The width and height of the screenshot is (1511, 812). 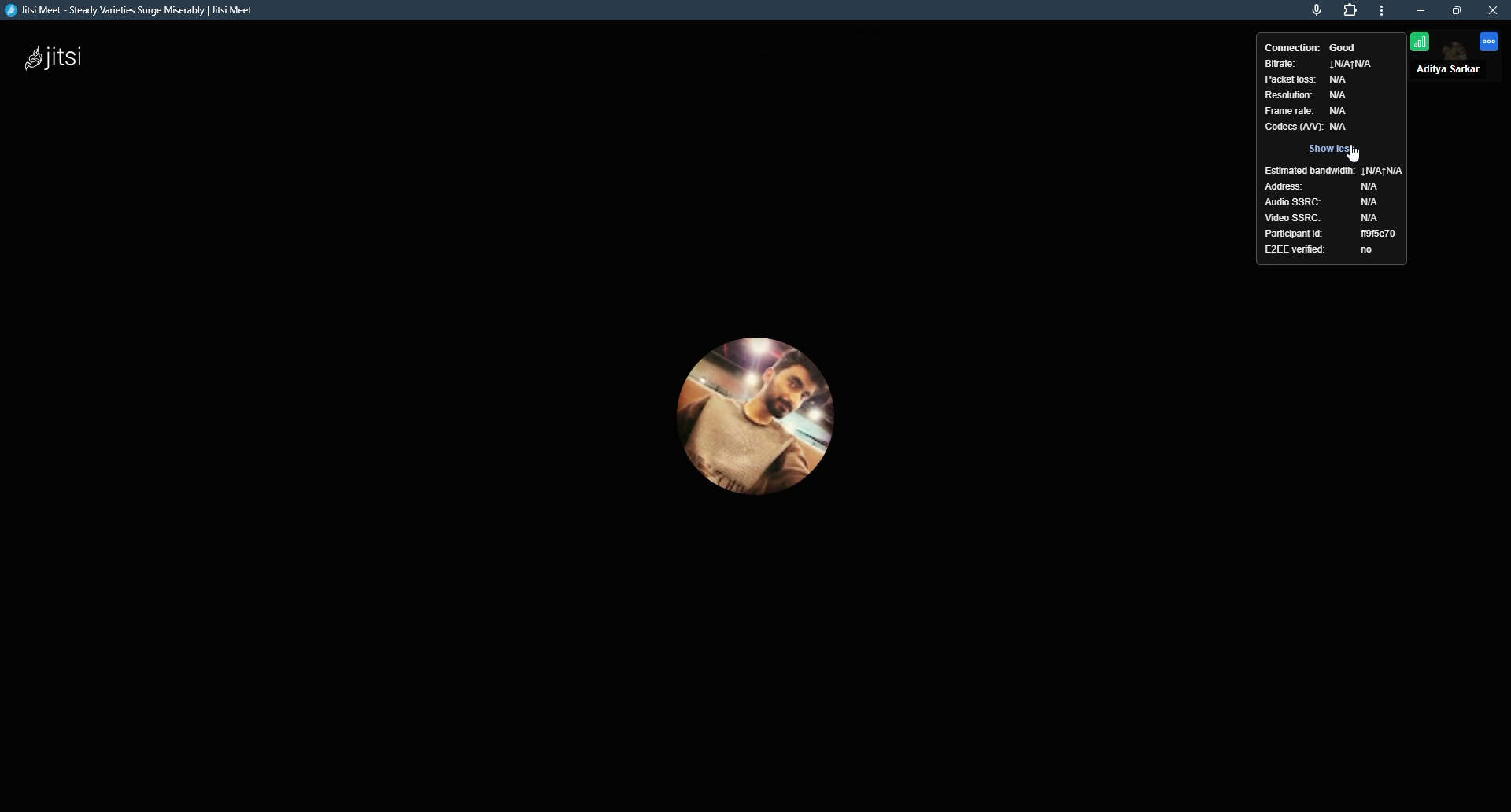 I want to click on audio ssrc, so click(x=1295, y=201).